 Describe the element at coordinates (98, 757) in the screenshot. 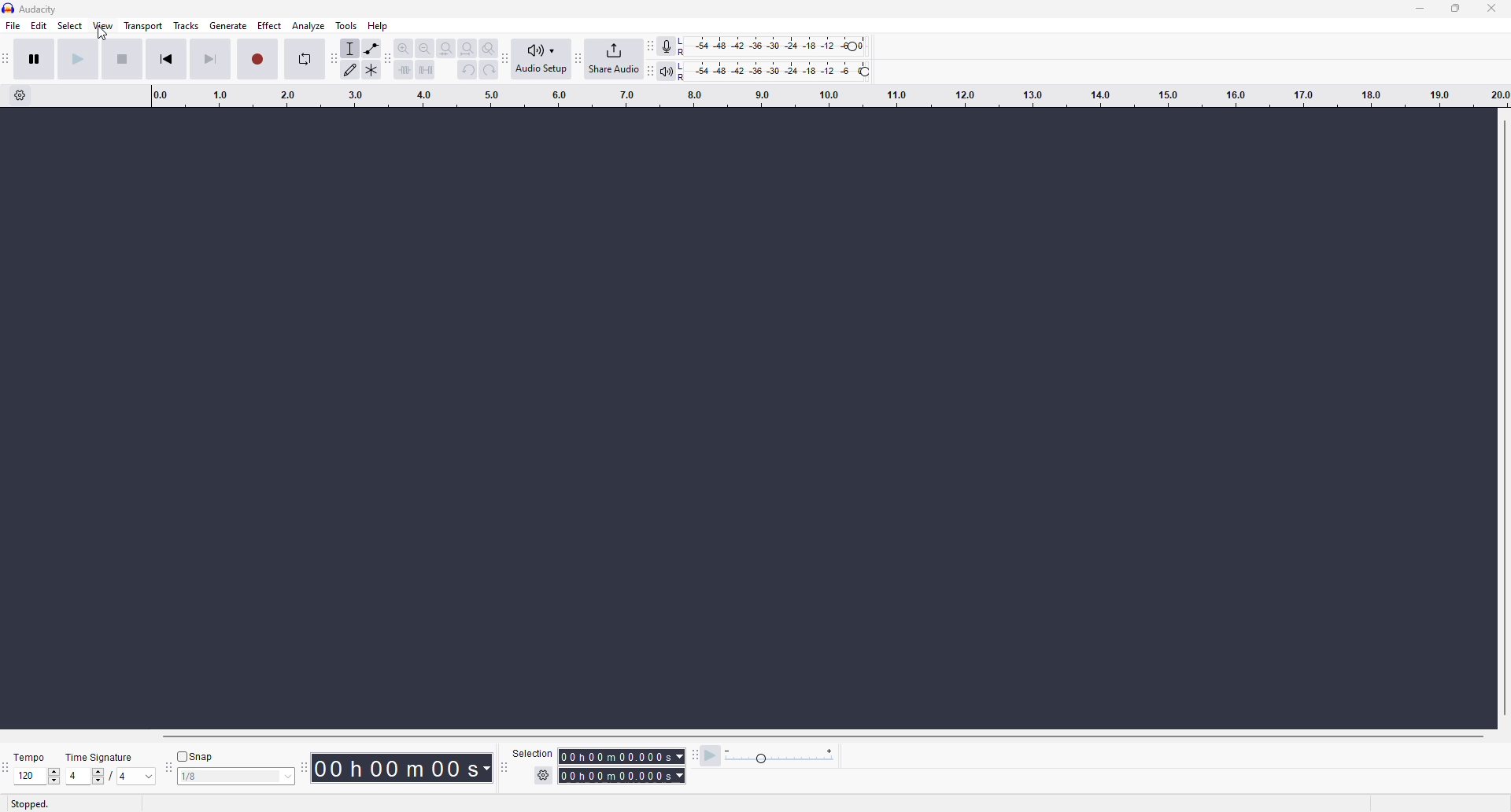

I see `time signature` at that location.